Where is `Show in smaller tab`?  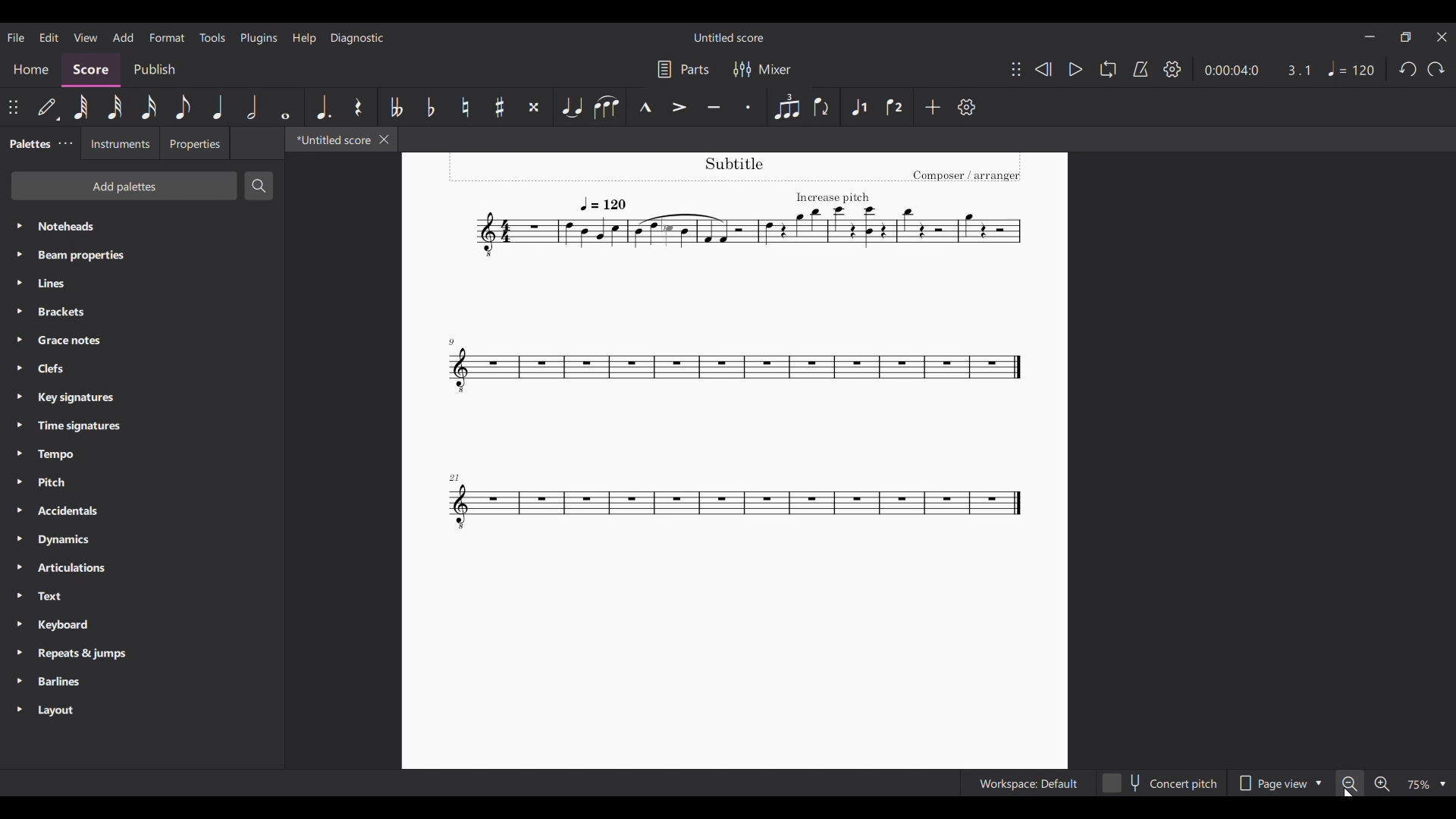 Show in smaller tab is located at coordinates (1406, 37).